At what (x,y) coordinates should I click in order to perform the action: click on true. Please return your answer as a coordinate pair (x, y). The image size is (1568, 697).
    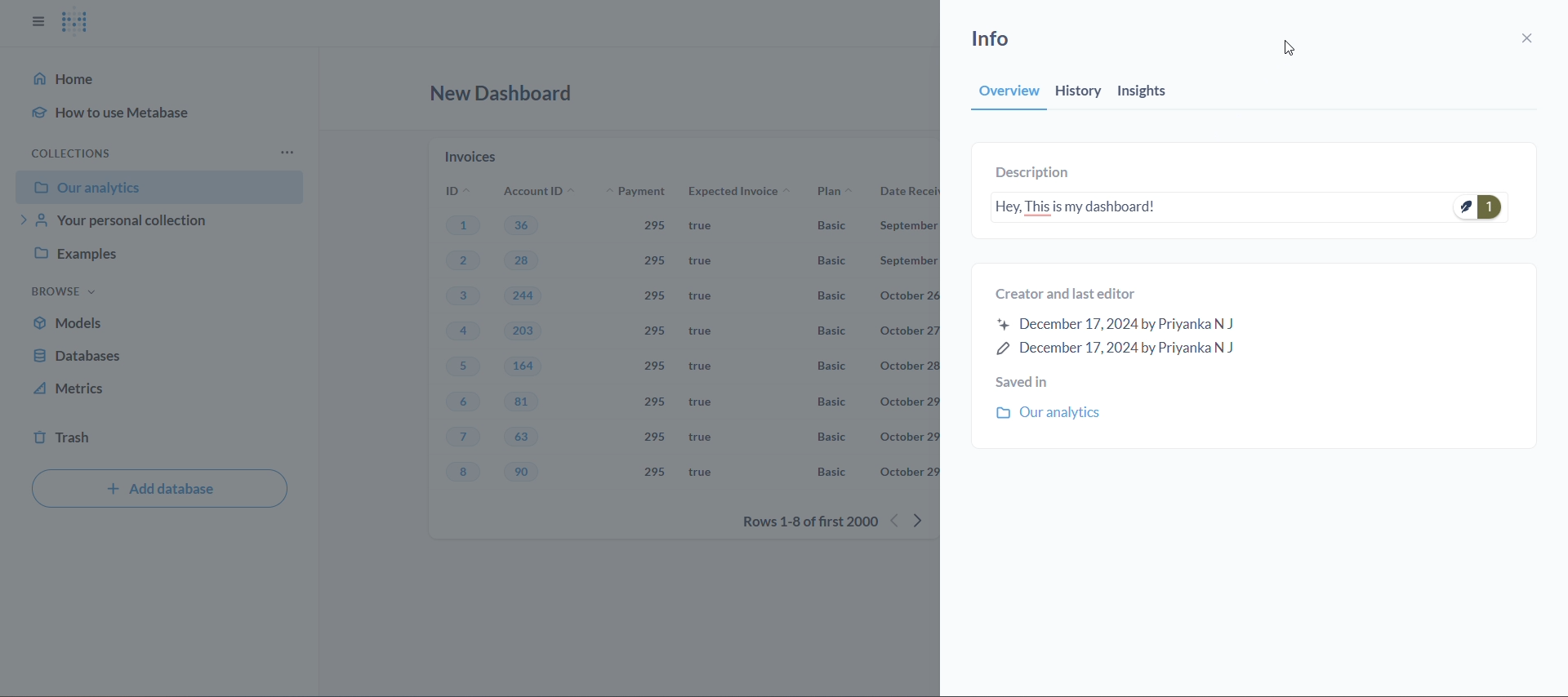
    Looking at the image, I should click on (698, 471).